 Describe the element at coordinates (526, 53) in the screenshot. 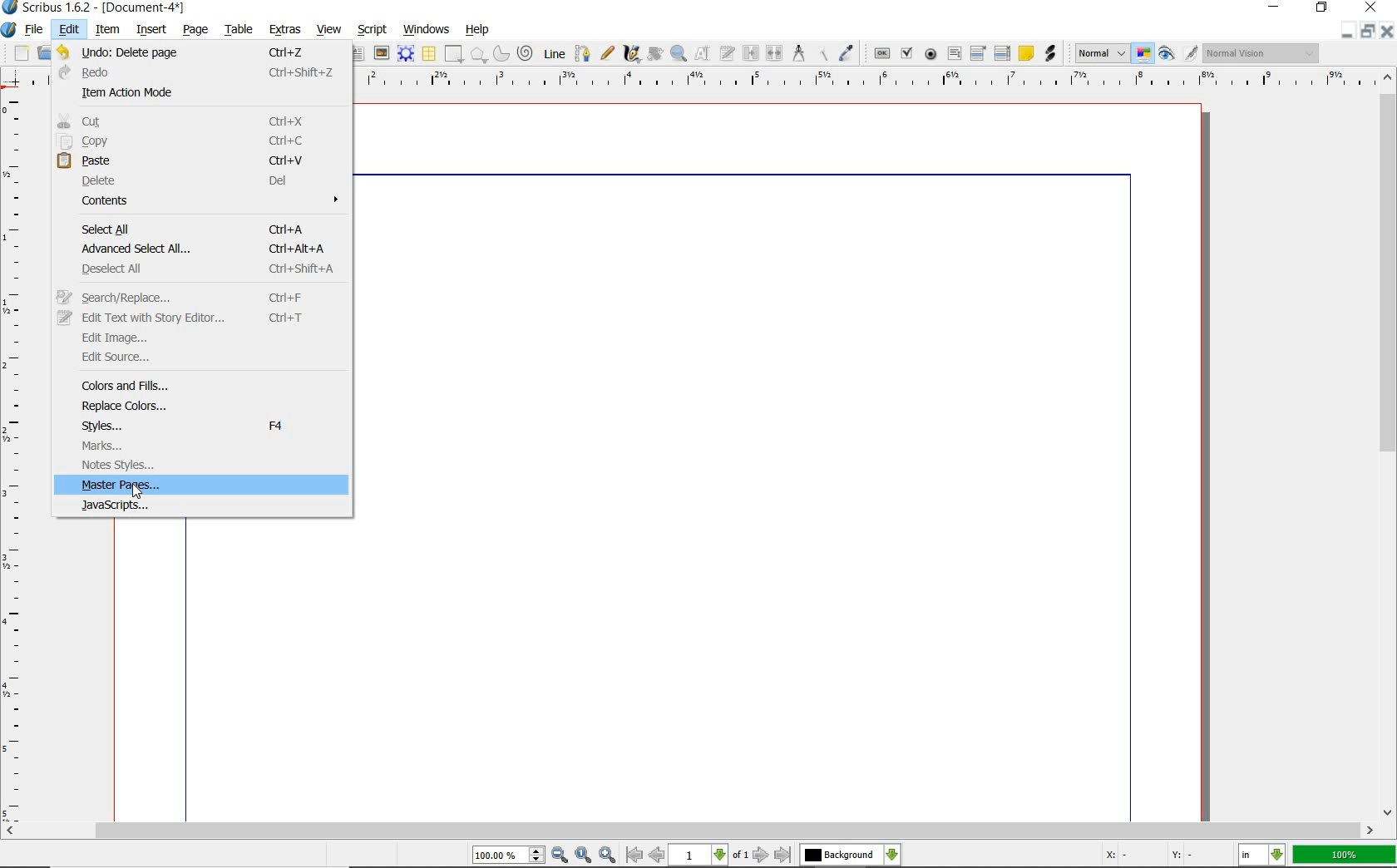

I see `spiral` at that location.